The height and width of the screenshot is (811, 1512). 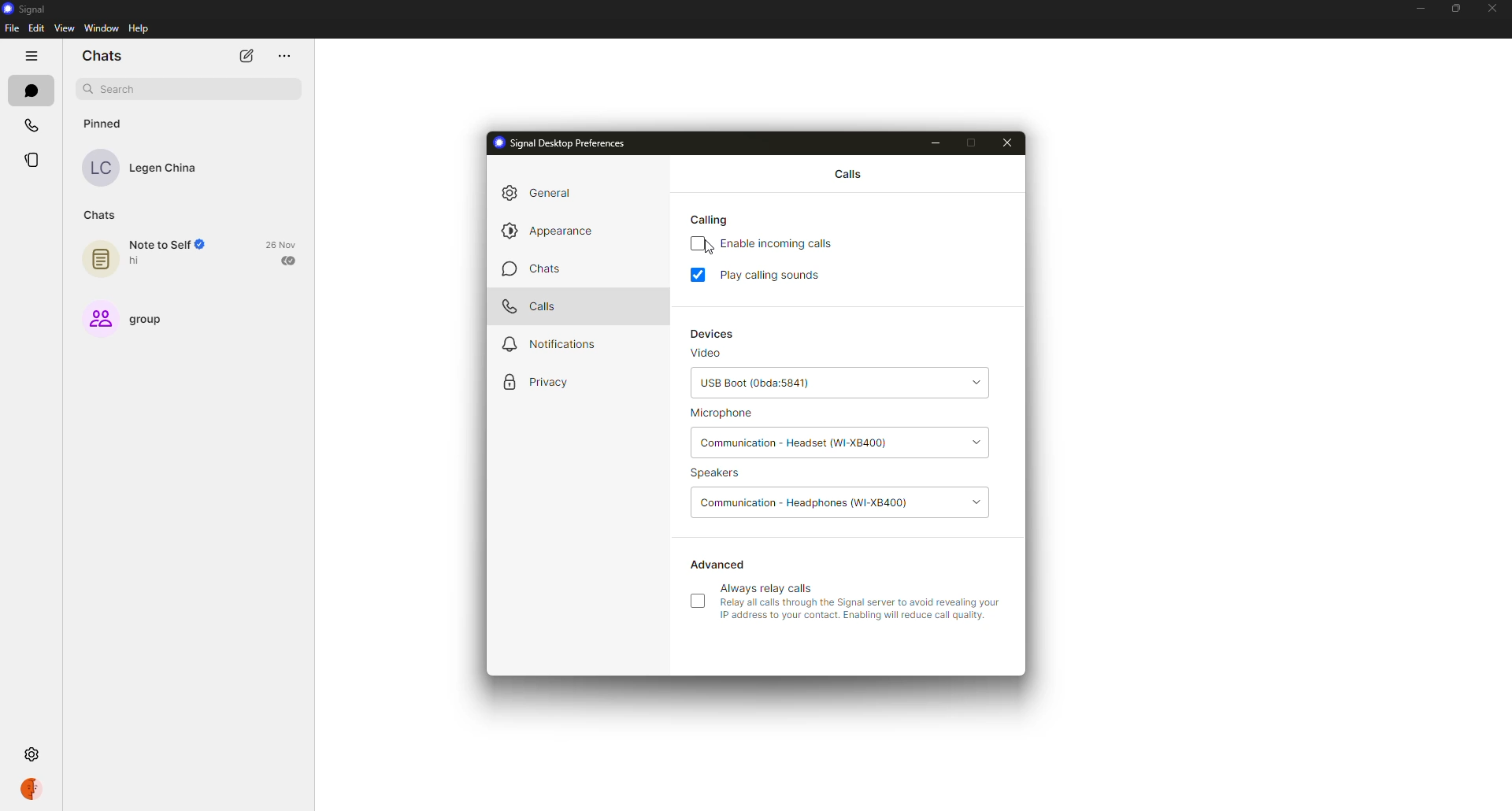 What do you see at coordinates (35, 160) in the screenshot?
I see `stories` at bounding box center [35, 160].